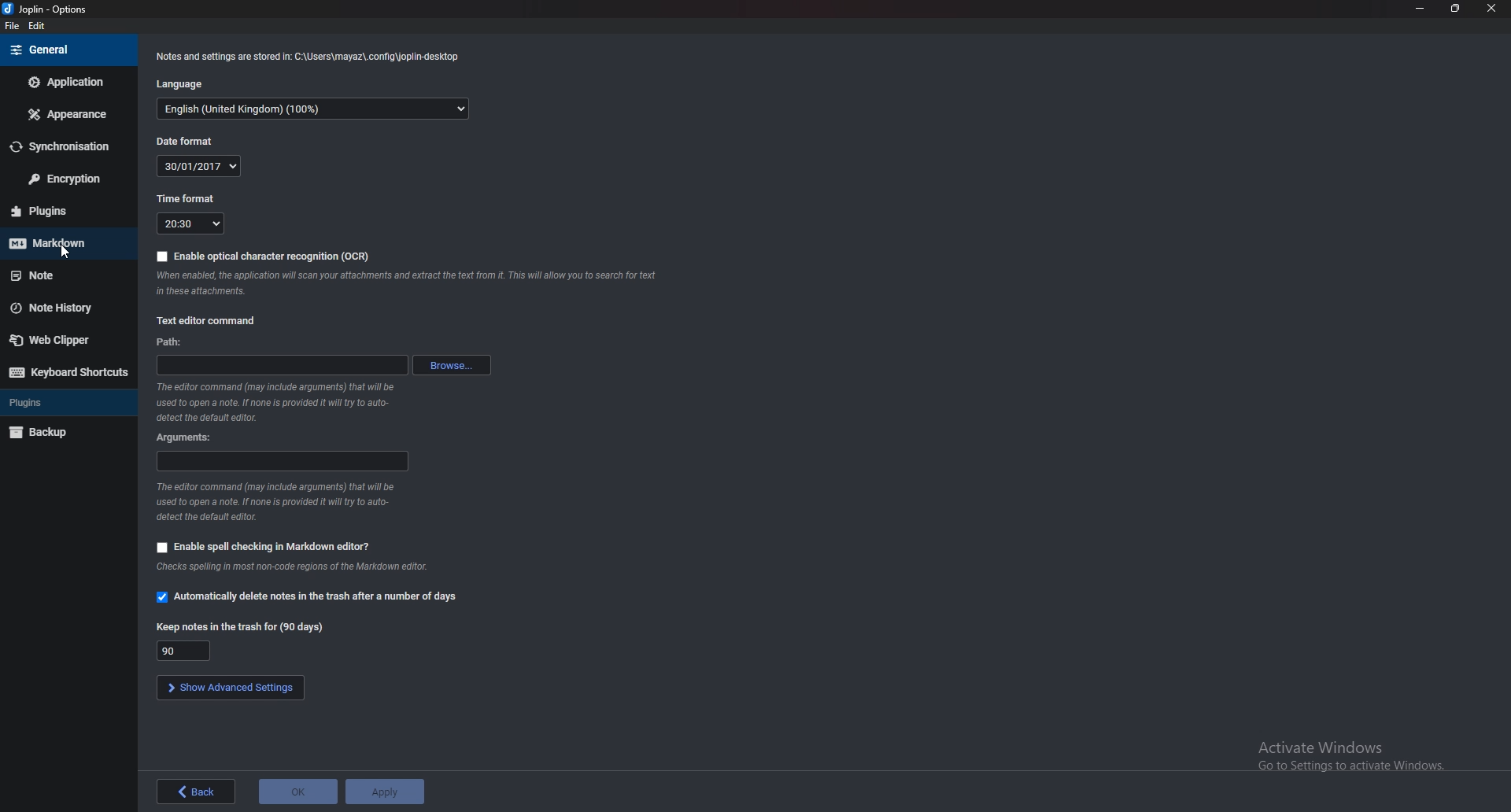  Describe the element at coordinates (190, 437) in the screenshot. I see `Arguments` at that location.